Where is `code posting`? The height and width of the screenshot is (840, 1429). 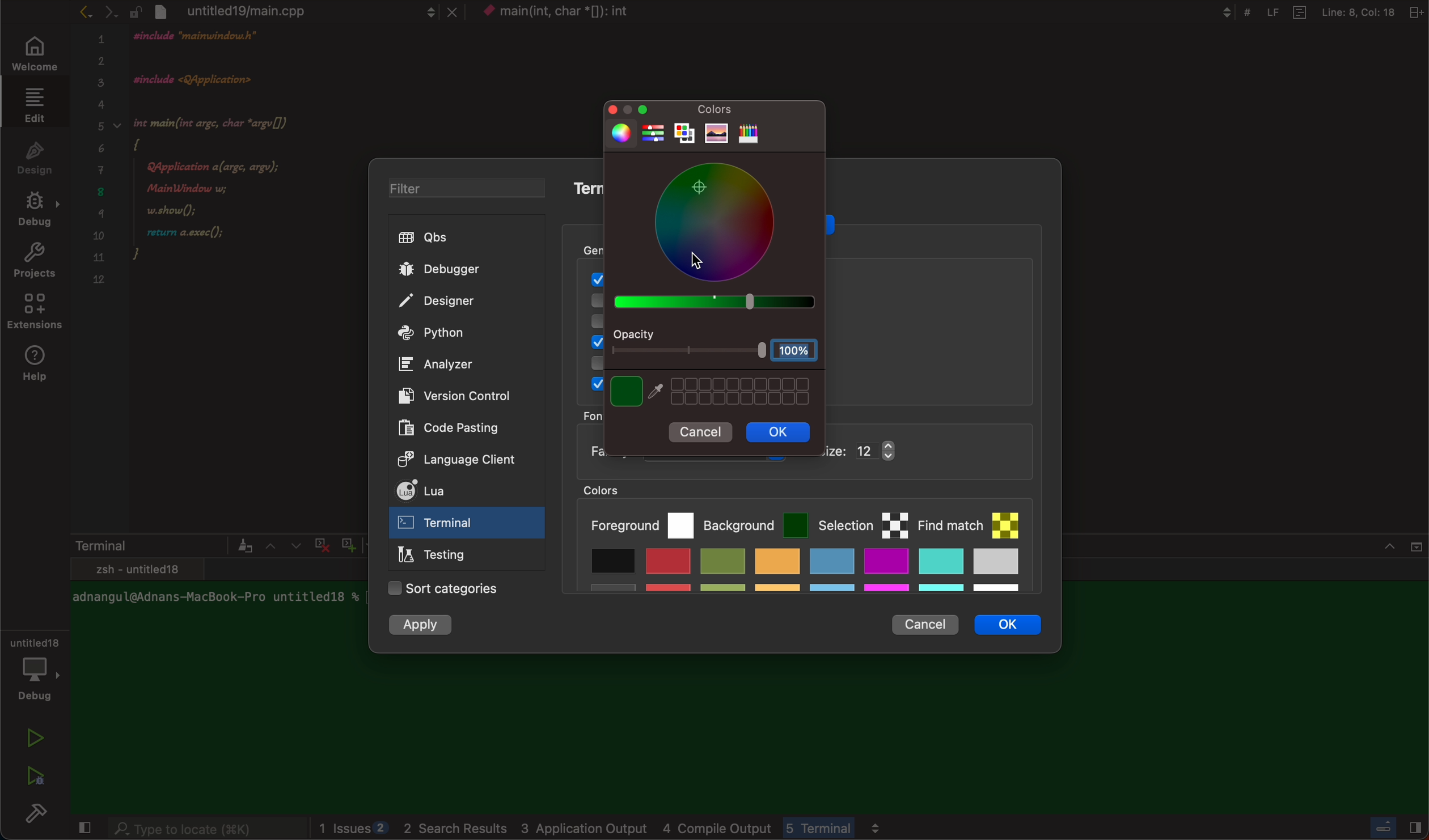
code posting is located at coordinates (456, 427).